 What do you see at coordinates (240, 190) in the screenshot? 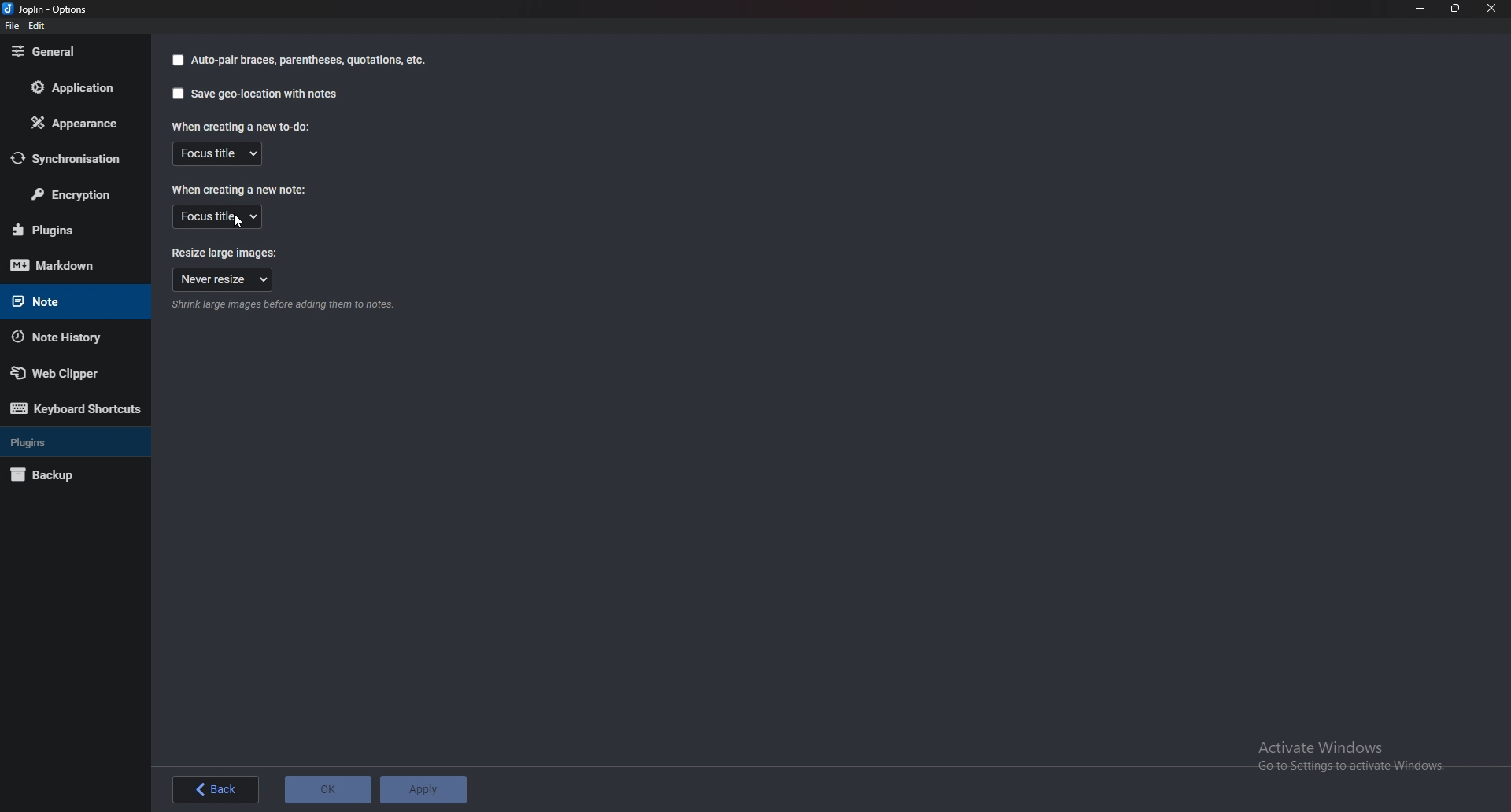
I see `When creating a new note` at bounding box center [240, 190].